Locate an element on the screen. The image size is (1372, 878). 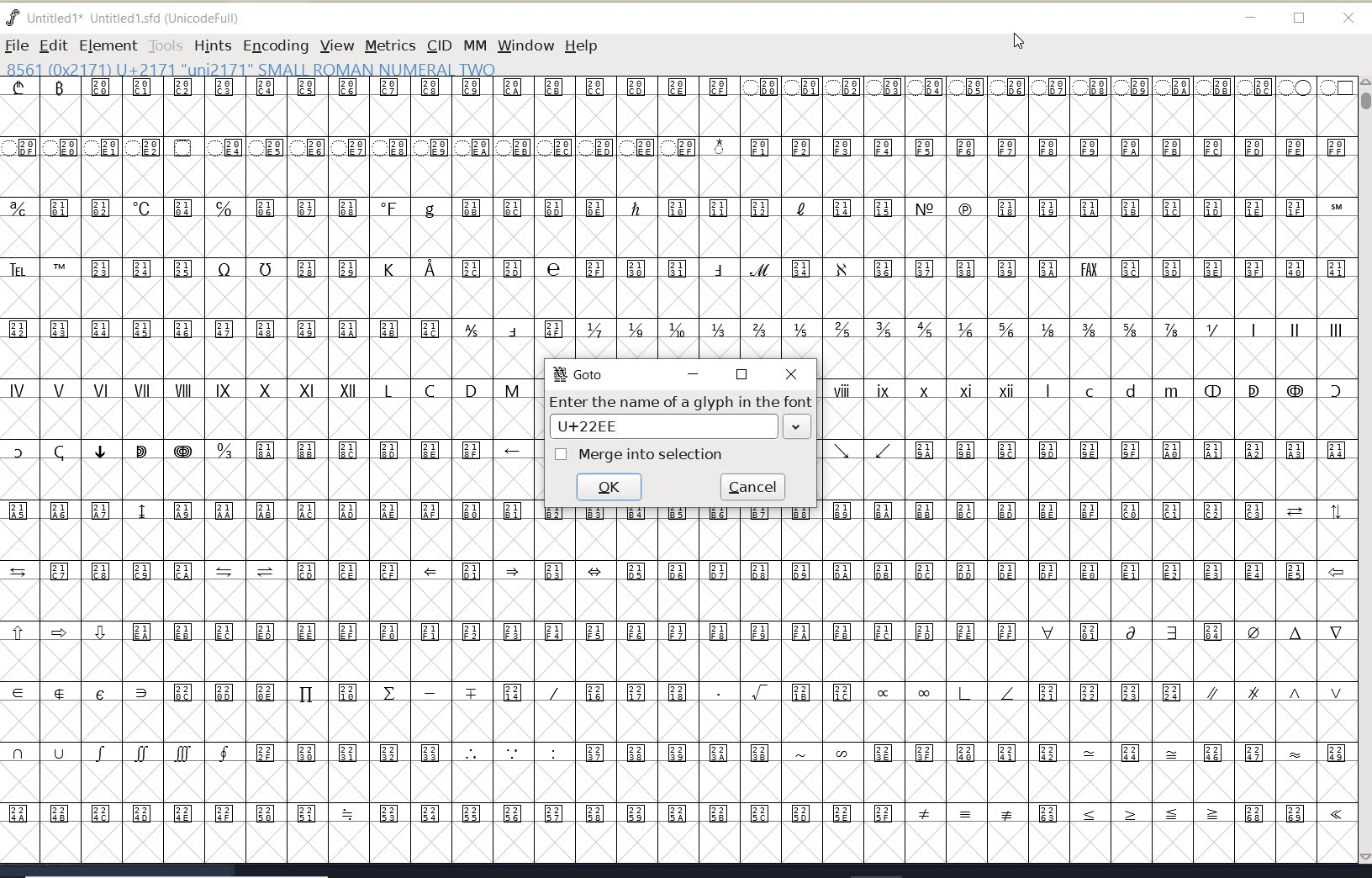
CID is located at coordinates (438, 45).